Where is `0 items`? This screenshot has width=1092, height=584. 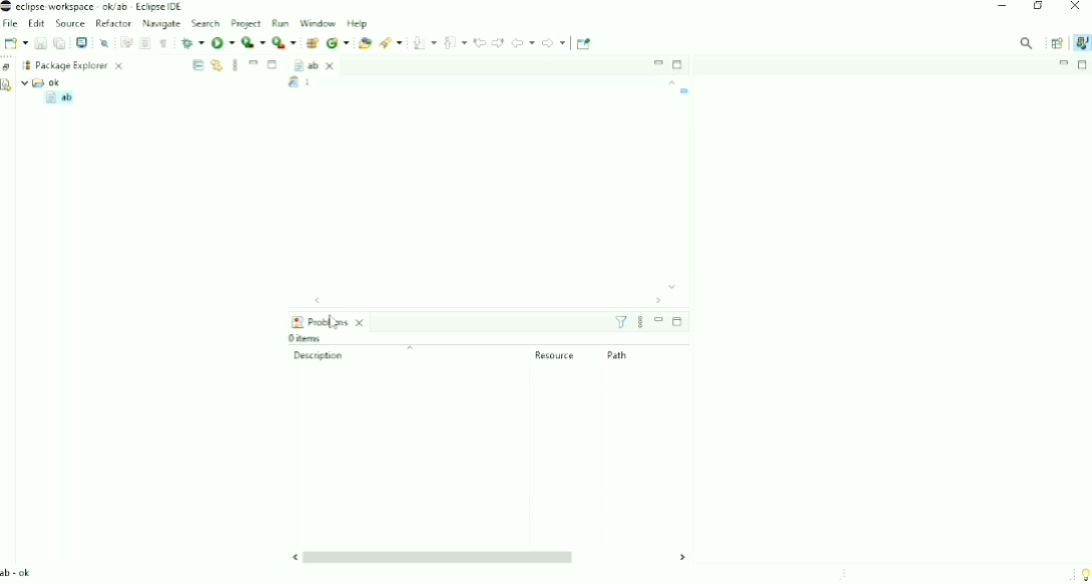 0 items is located at coordinates (310, 338).